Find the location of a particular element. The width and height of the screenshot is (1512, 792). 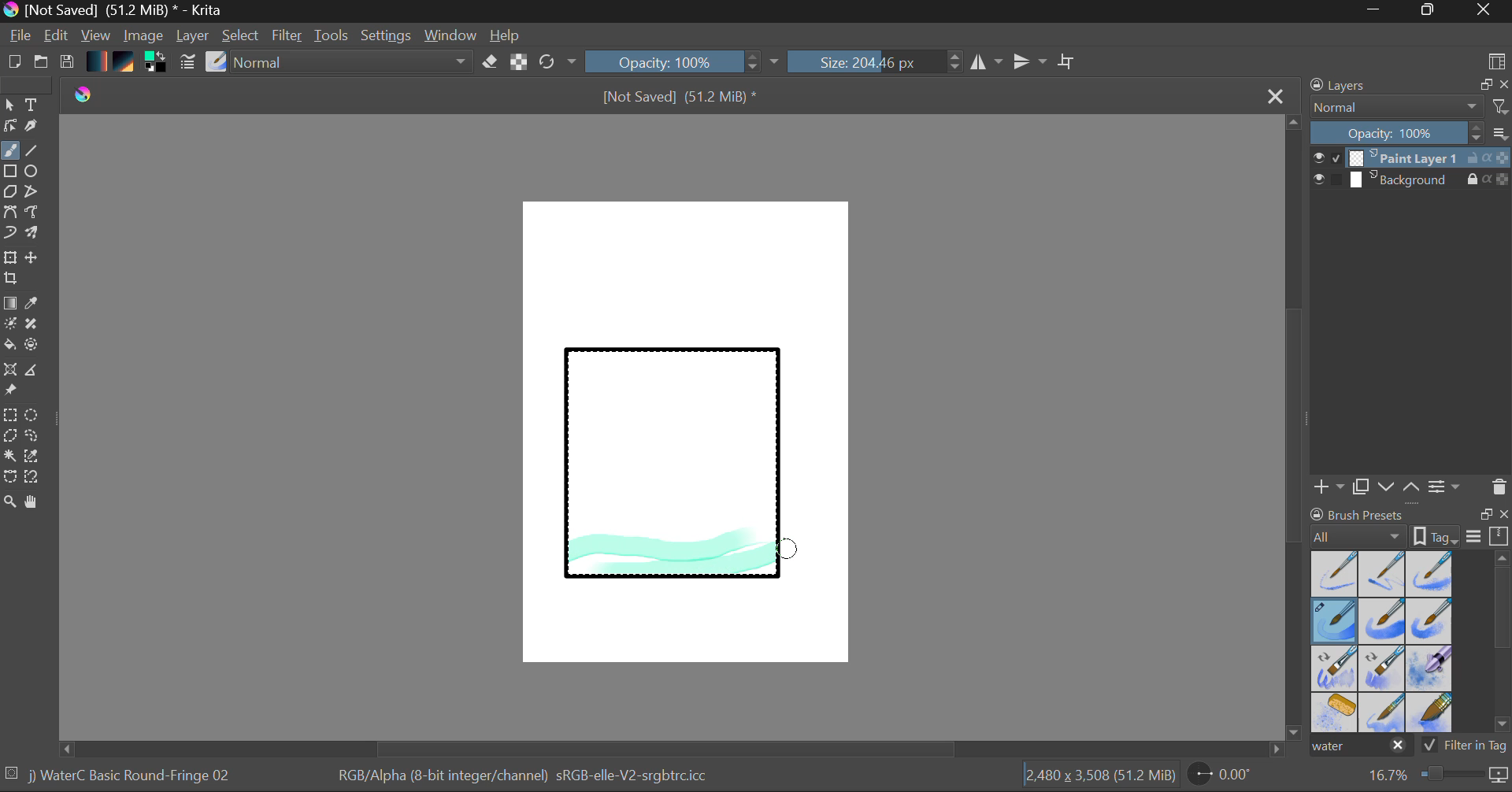

Lock Alpha is located at coordinates (517, 63).